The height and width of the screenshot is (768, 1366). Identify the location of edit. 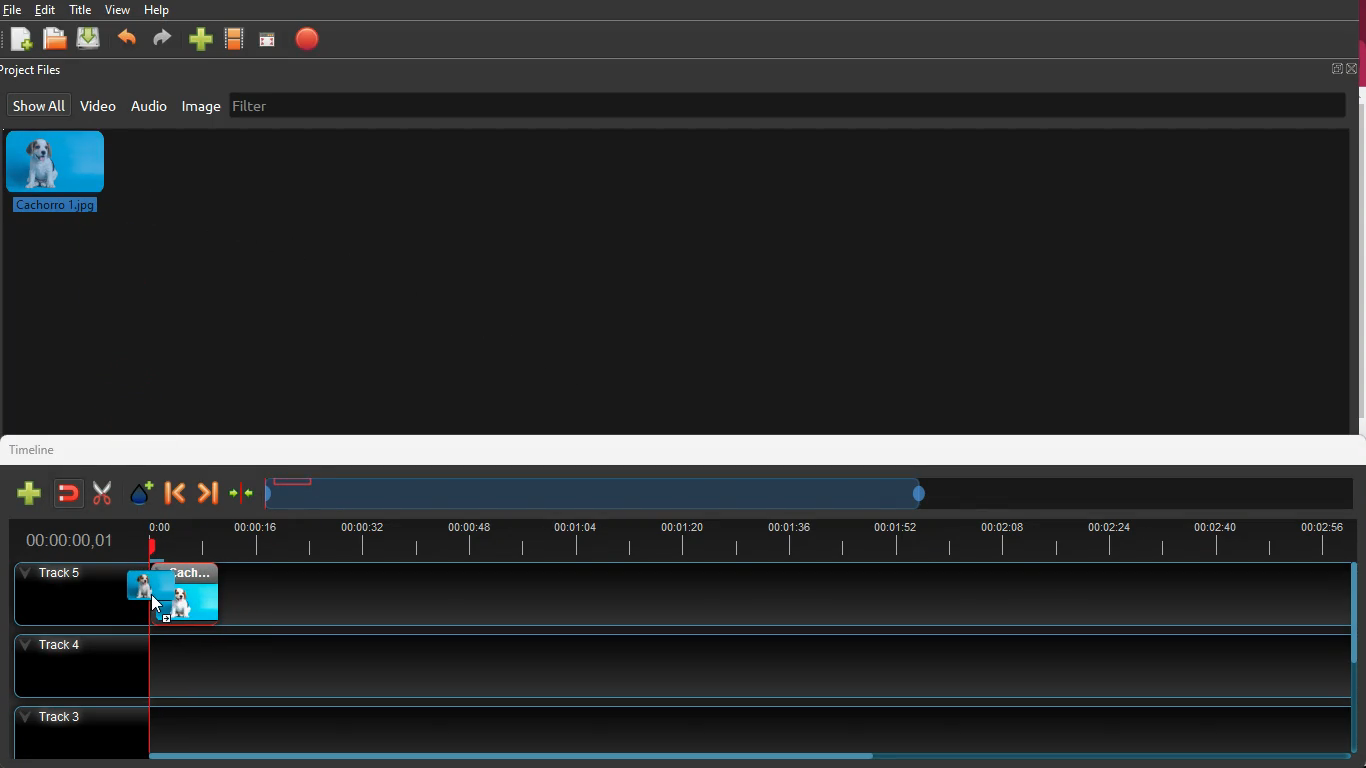
(49, 10).